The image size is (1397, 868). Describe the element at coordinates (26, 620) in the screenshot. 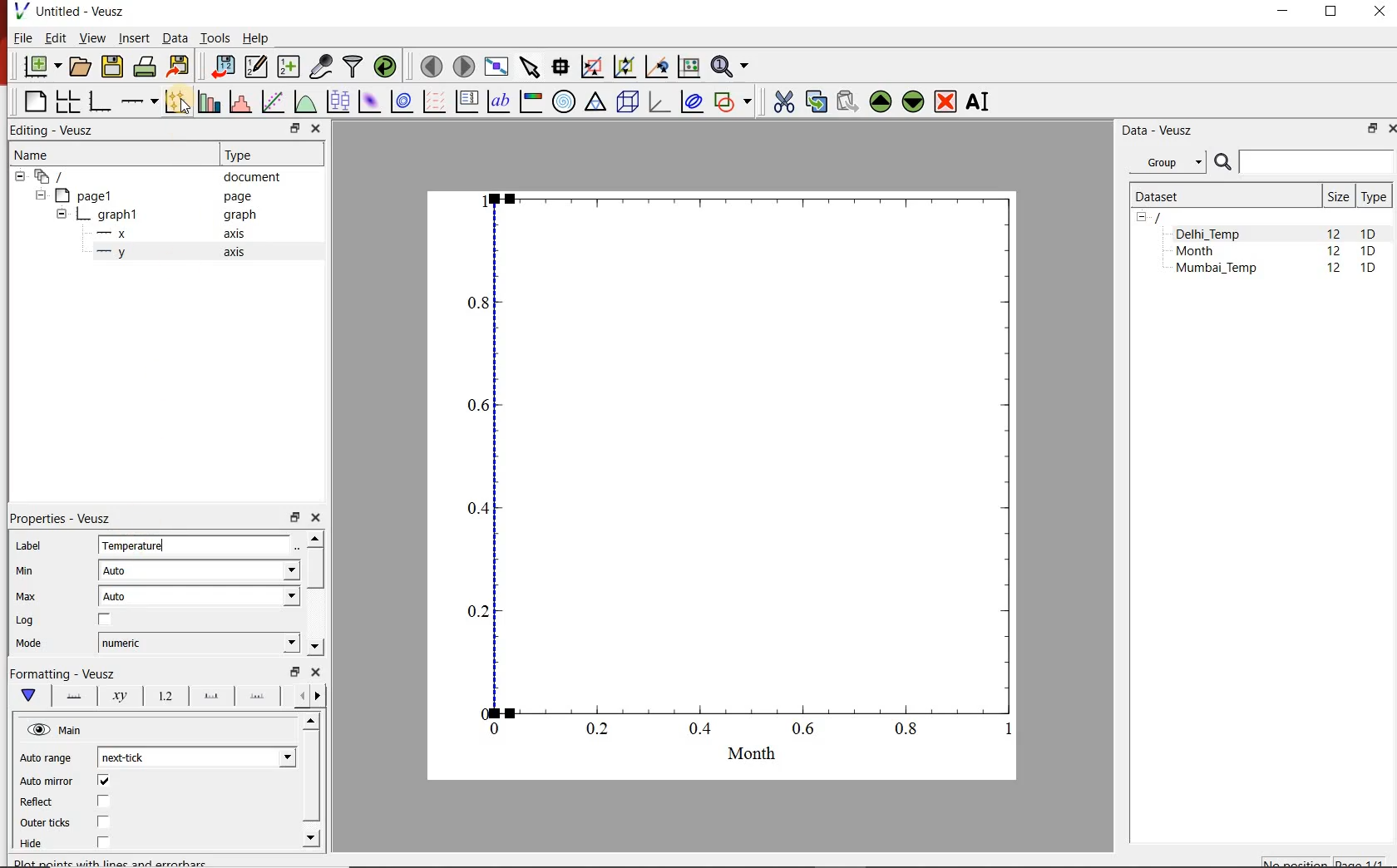

I see `Log` at that location.